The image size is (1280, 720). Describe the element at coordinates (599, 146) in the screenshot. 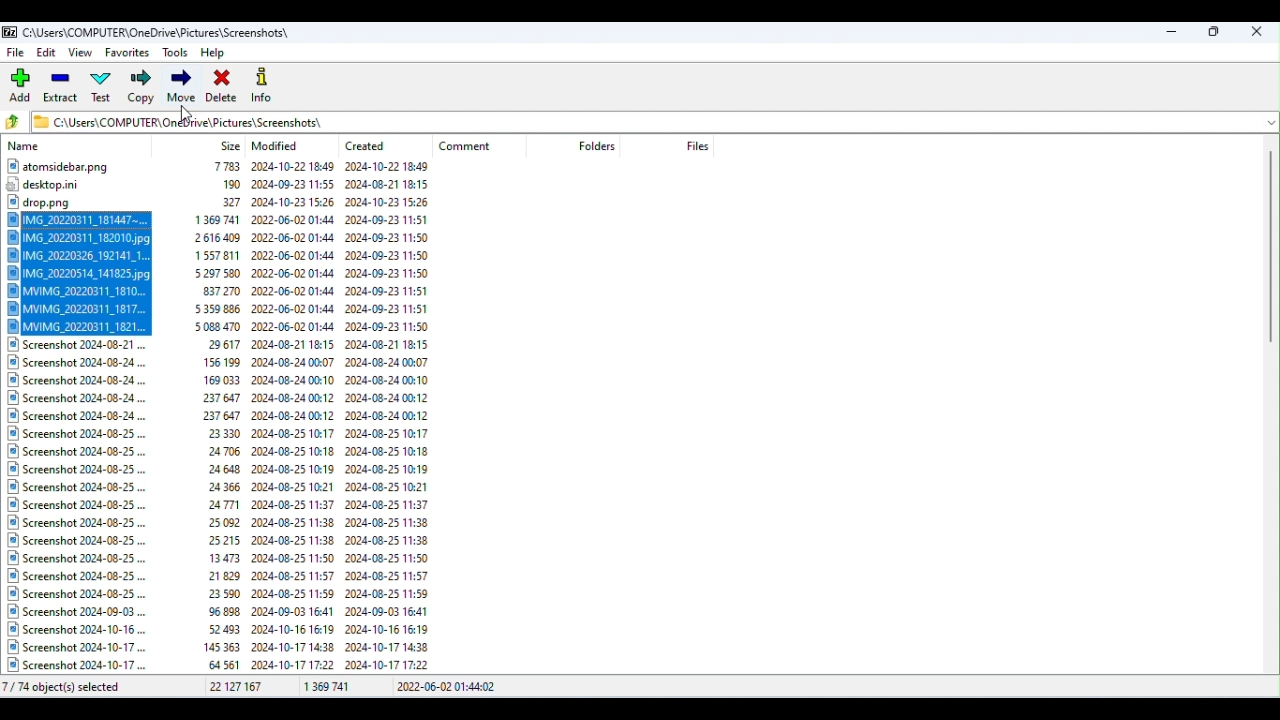

I see `Folders` at that location.